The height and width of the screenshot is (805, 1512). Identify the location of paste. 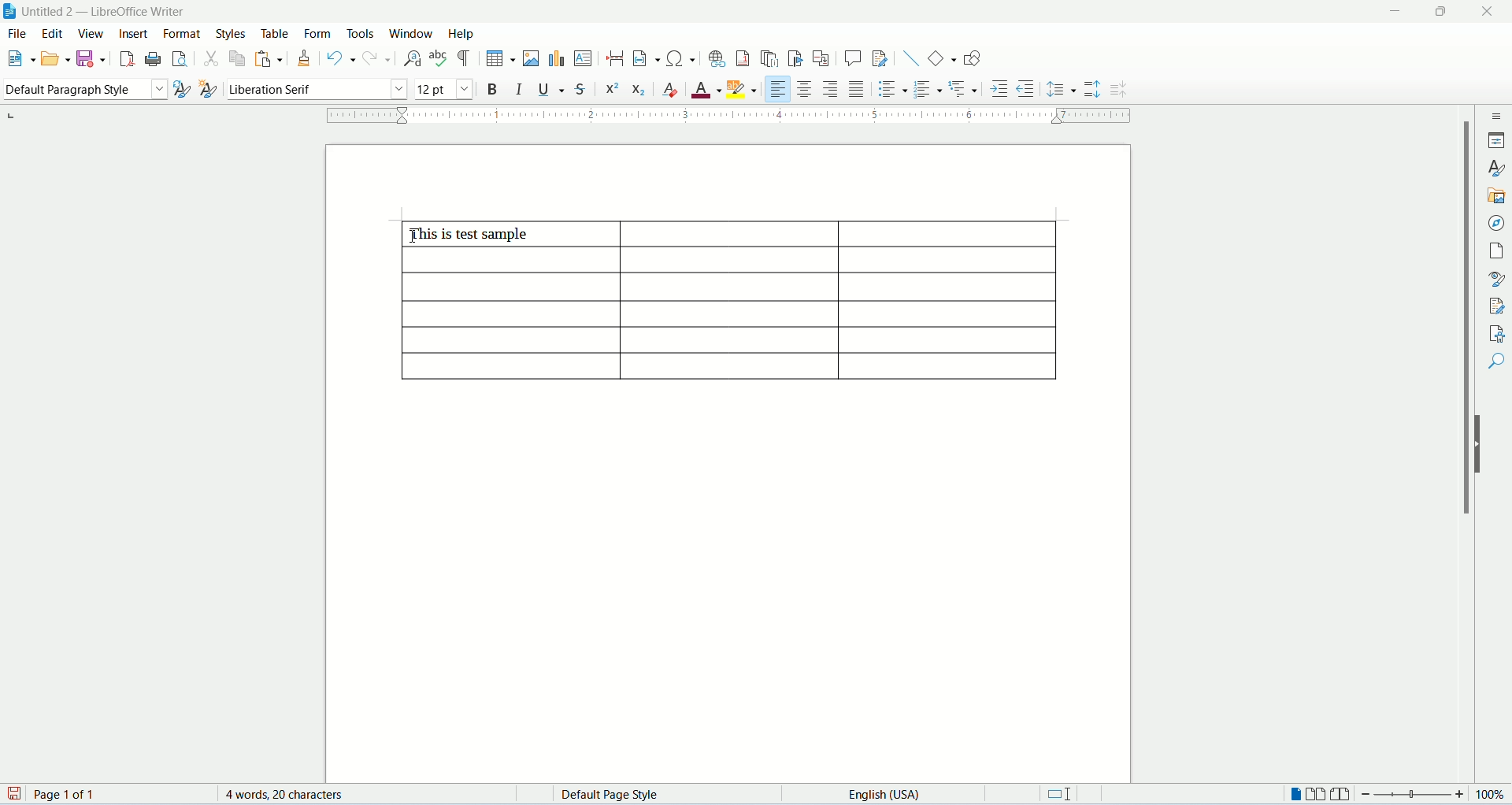
(265, 60).